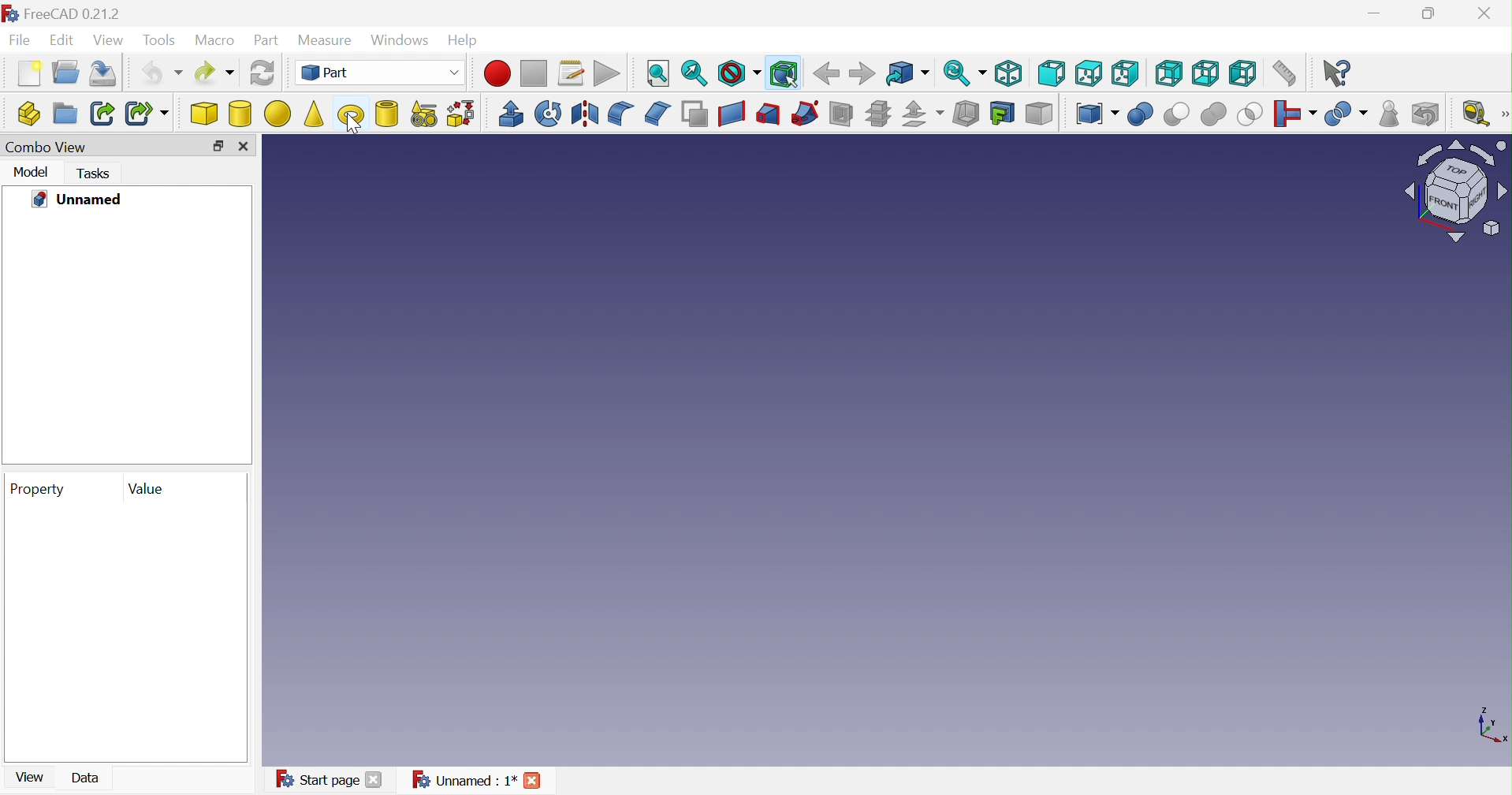 This screenshot has width=1512, height=795. What do you see at coordinates (609, 73) in the screenshot?
I see `Execute macro` at bounding box center [609, 73].